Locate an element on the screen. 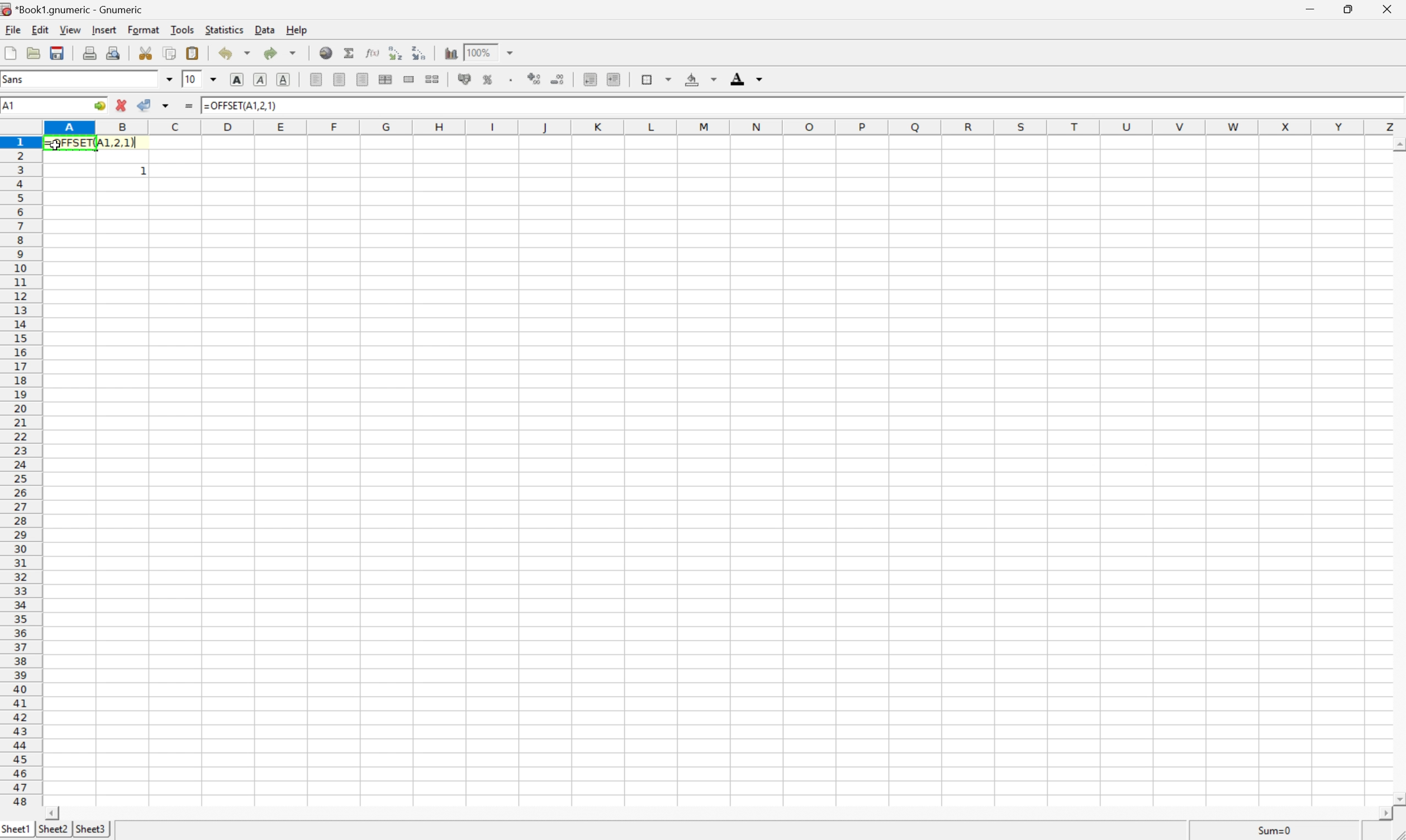  minimize is located at coordinates (1309, 7).